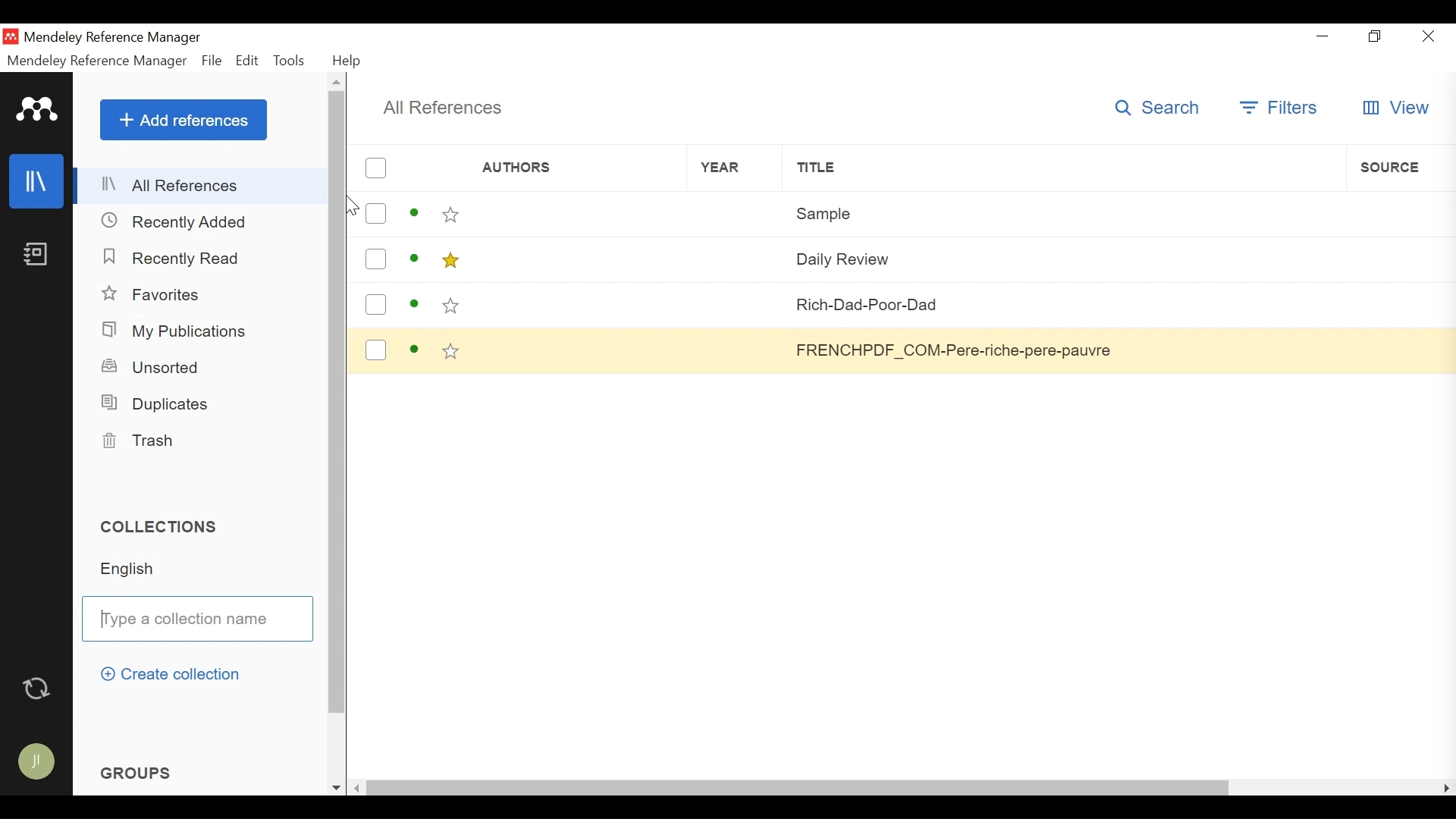 The width and height of the screenshot is (1456, 819). Describe the element at coordinates (347, 61) in the screenshot. I see `Help` at that location.